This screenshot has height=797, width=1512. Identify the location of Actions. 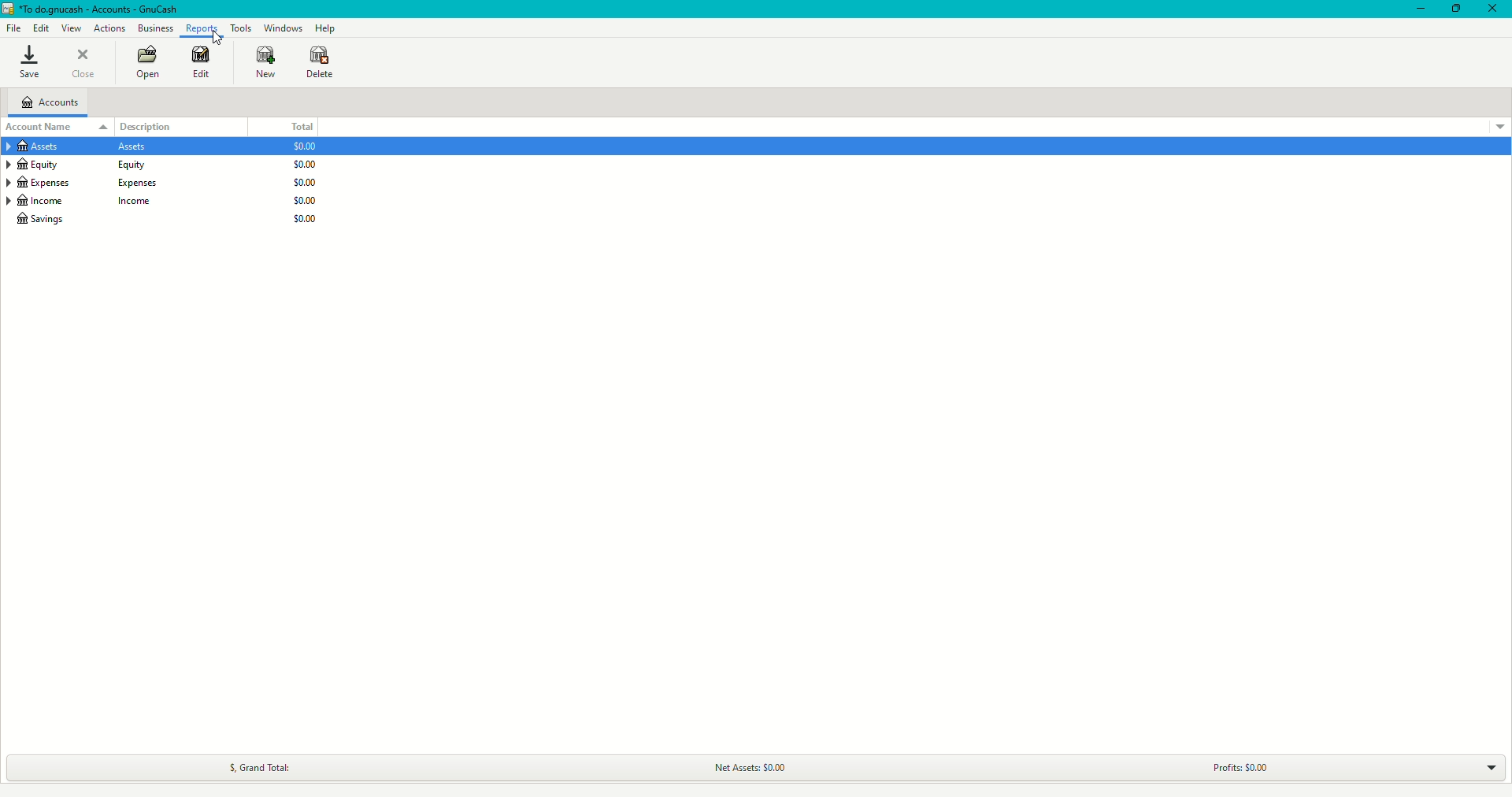
(109, 26).